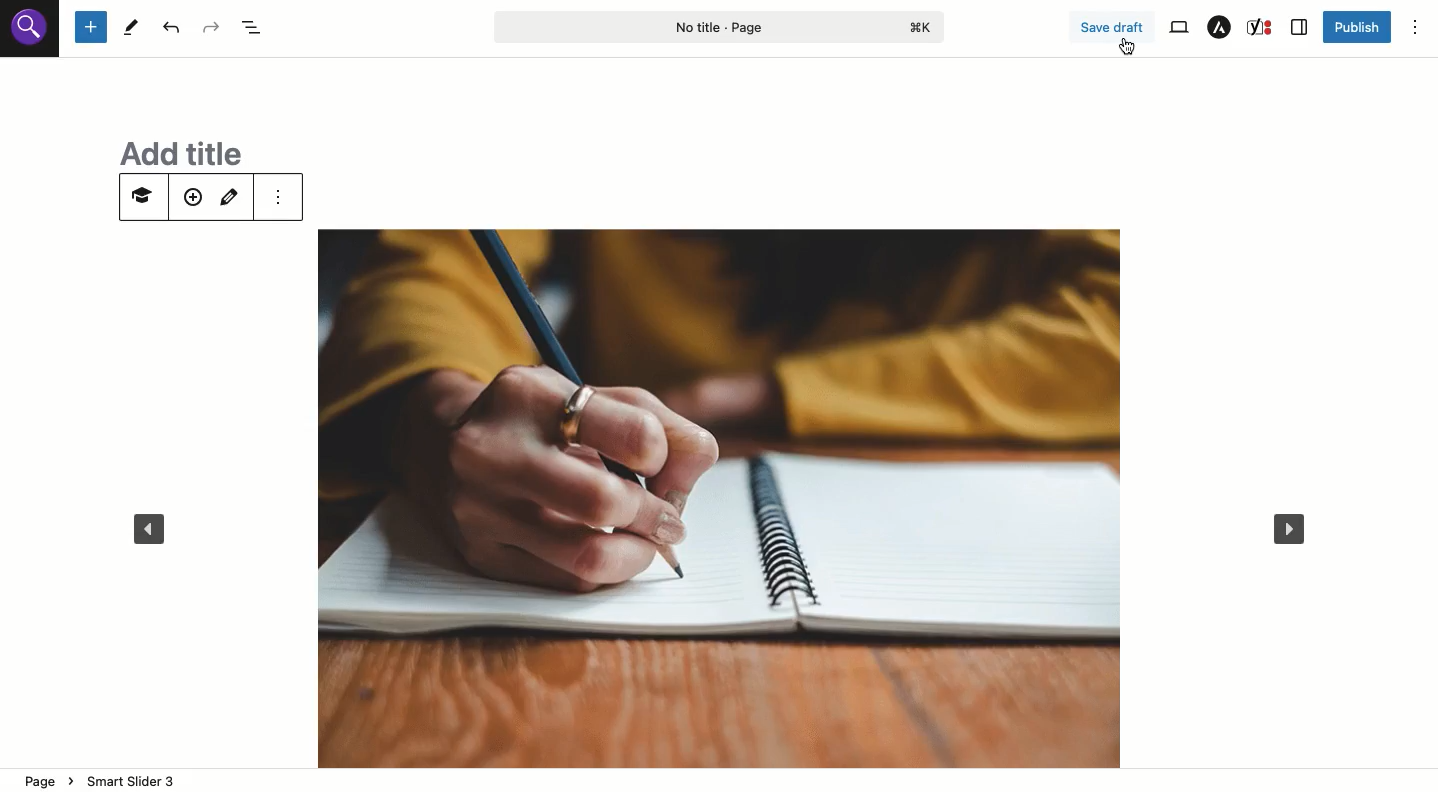 This screenshot has width=1438, height=792. Describe the element at coordinates (1178, 28) in the screenshot. I see `View` at that location.